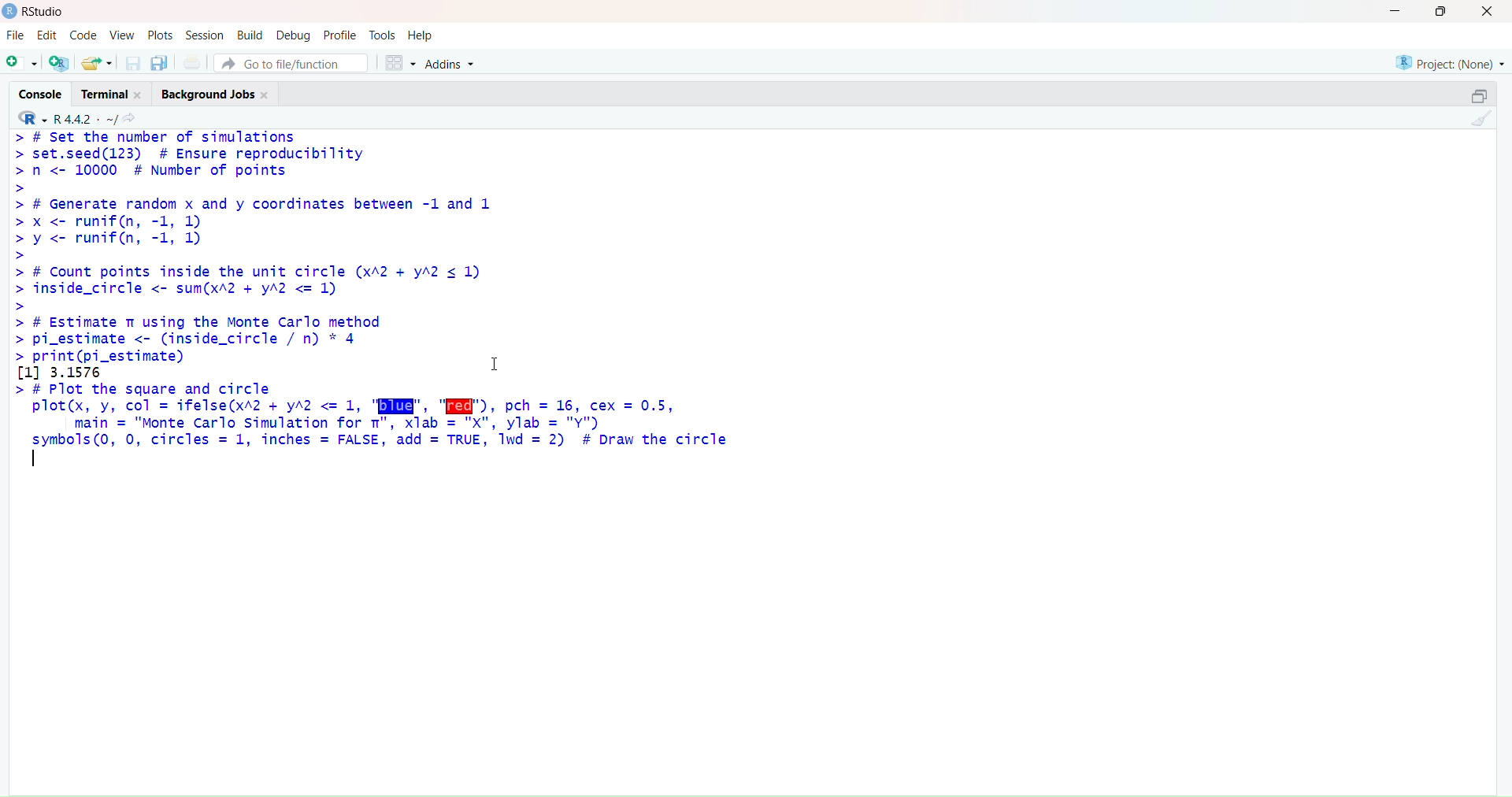  I want to click on Session, so click(203, 34).